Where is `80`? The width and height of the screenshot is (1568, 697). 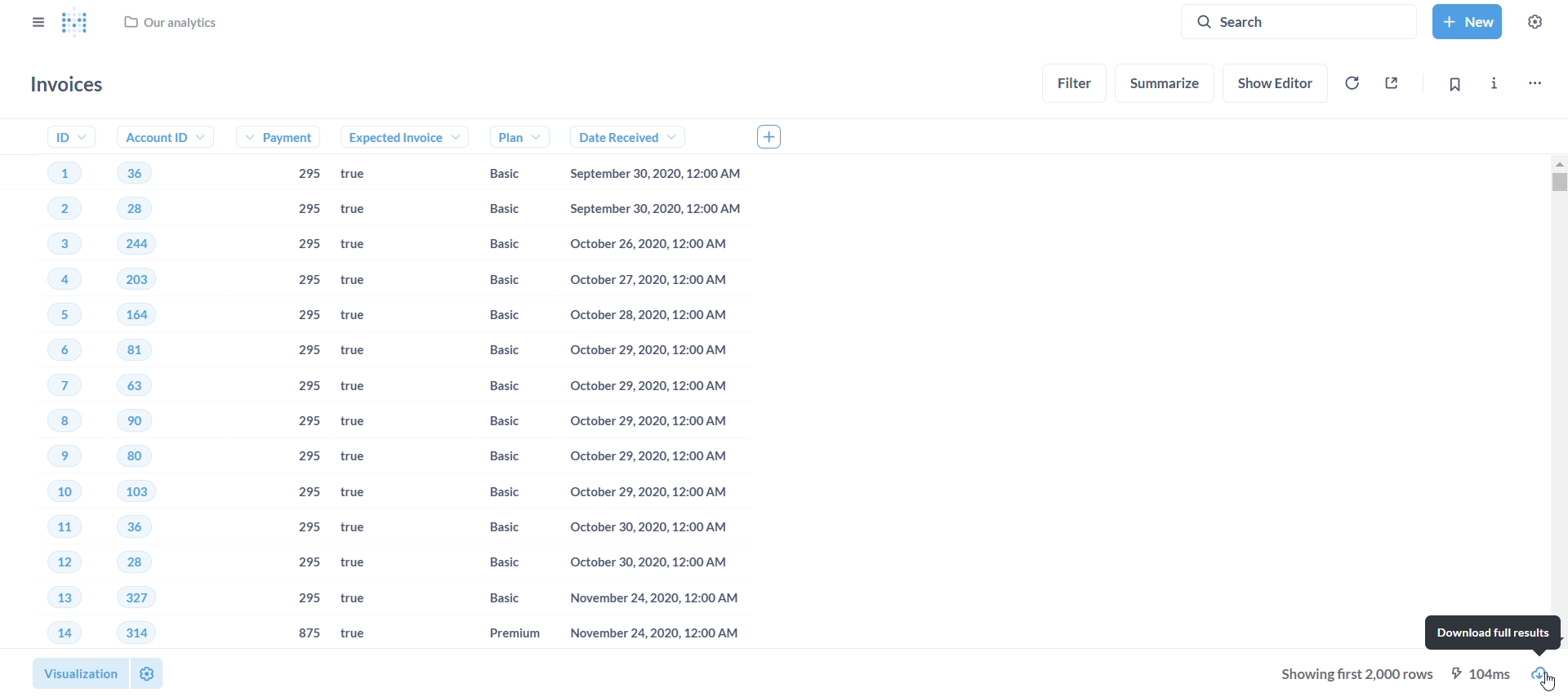 80 is located at coordinates (134, 459).